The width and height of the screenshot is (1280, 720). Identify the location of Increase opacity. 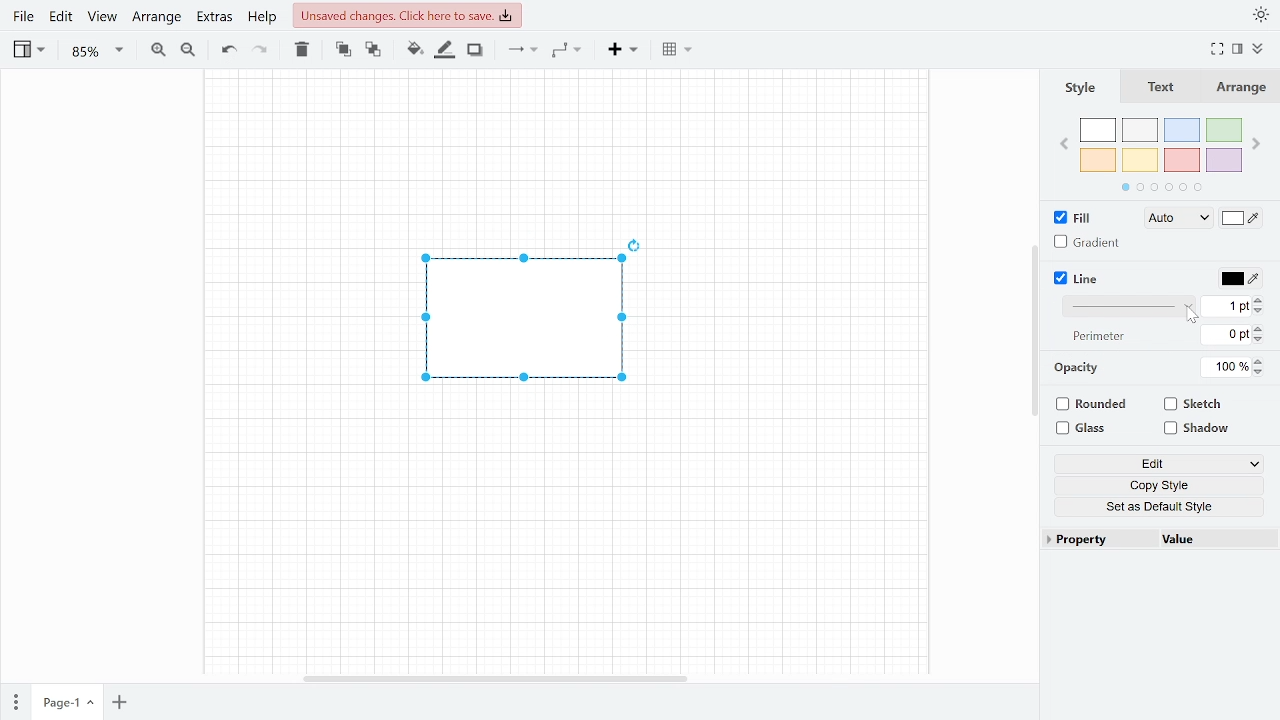
(1263, 360).